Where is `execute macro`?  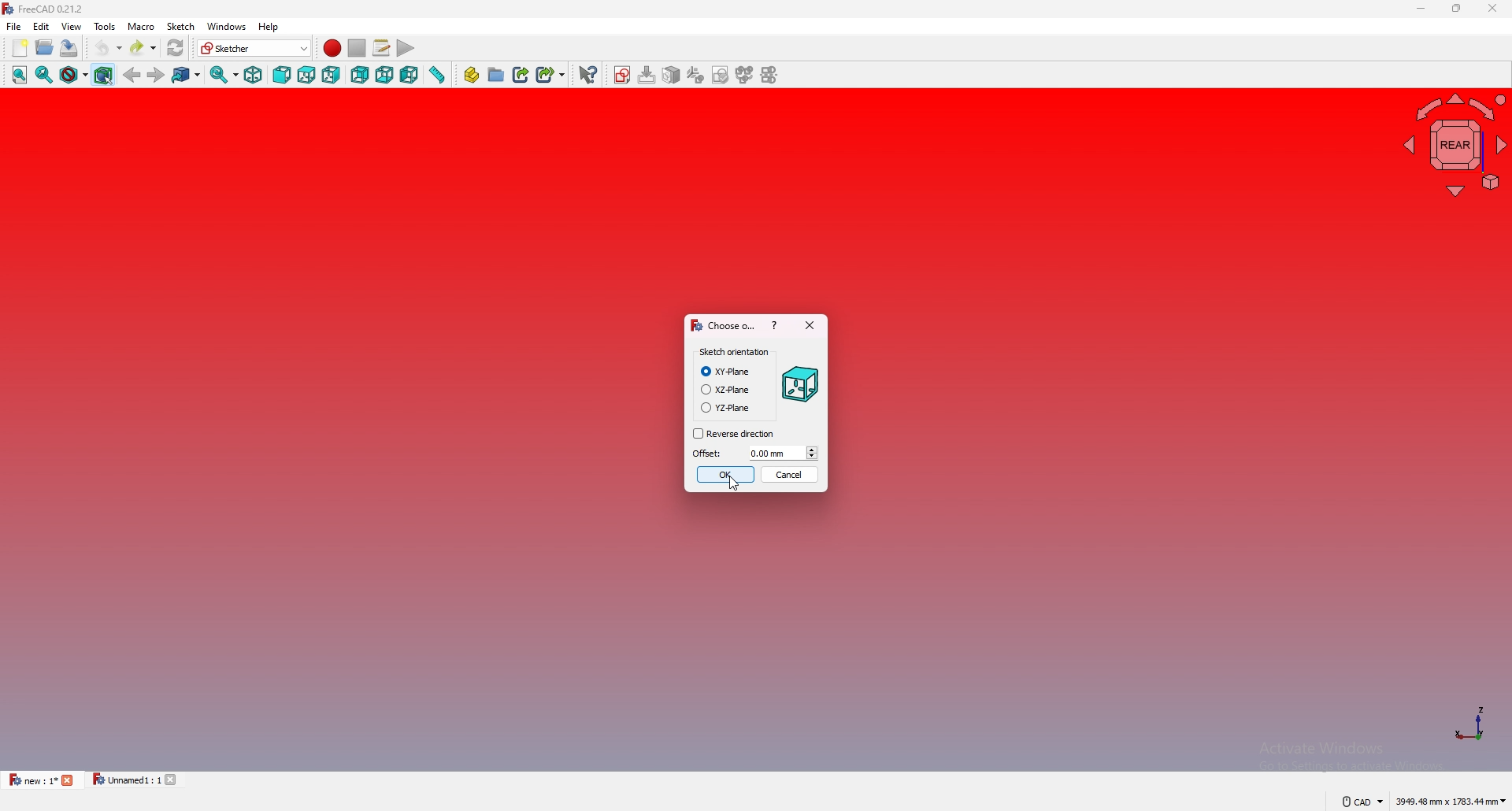
execute macro is located at coordinates (406, 48).